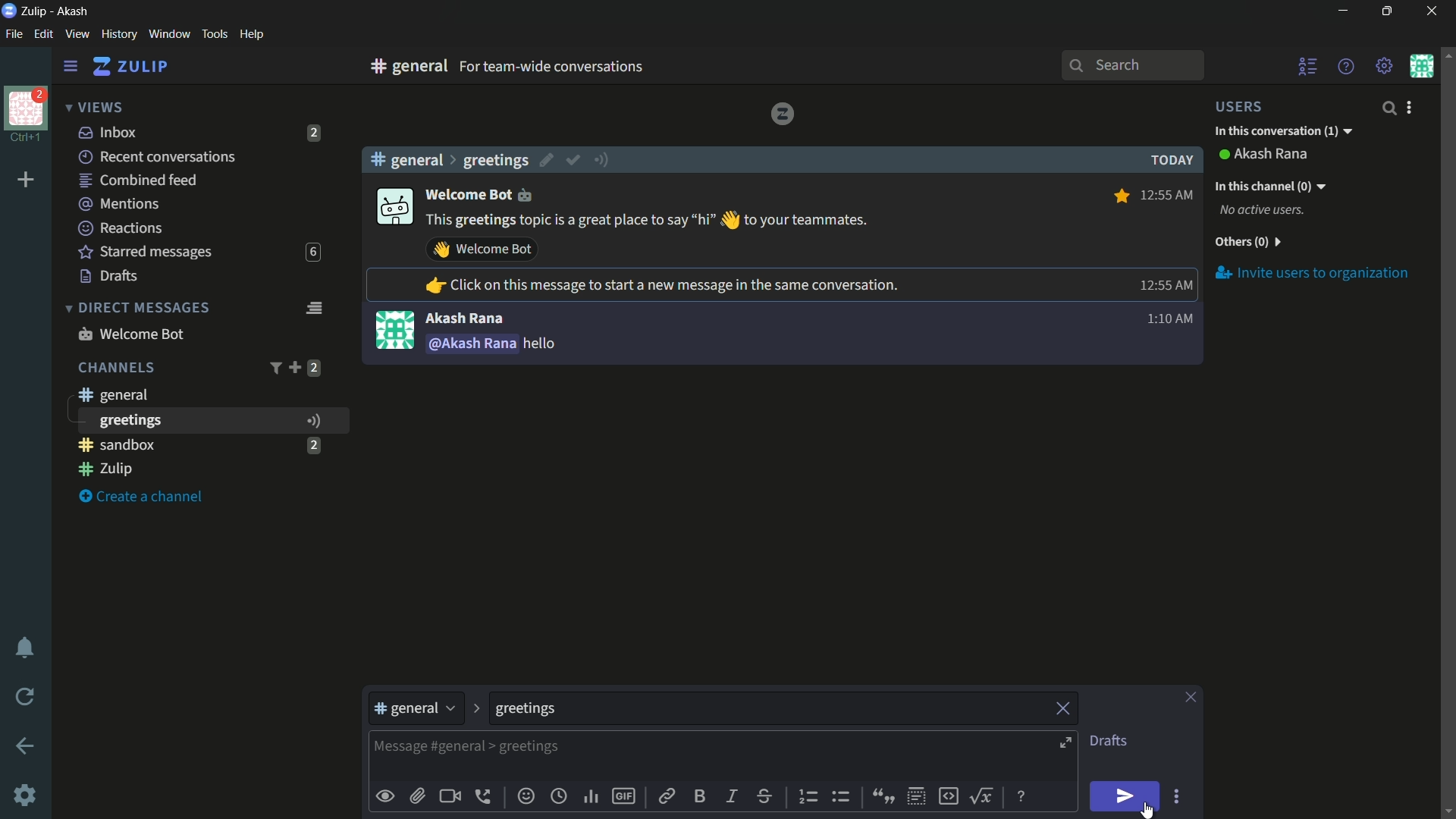  What do you see at coordinates (1167, 322) in the screenshot?
I see `1:10 AM` at bounding box center [1167, 322].